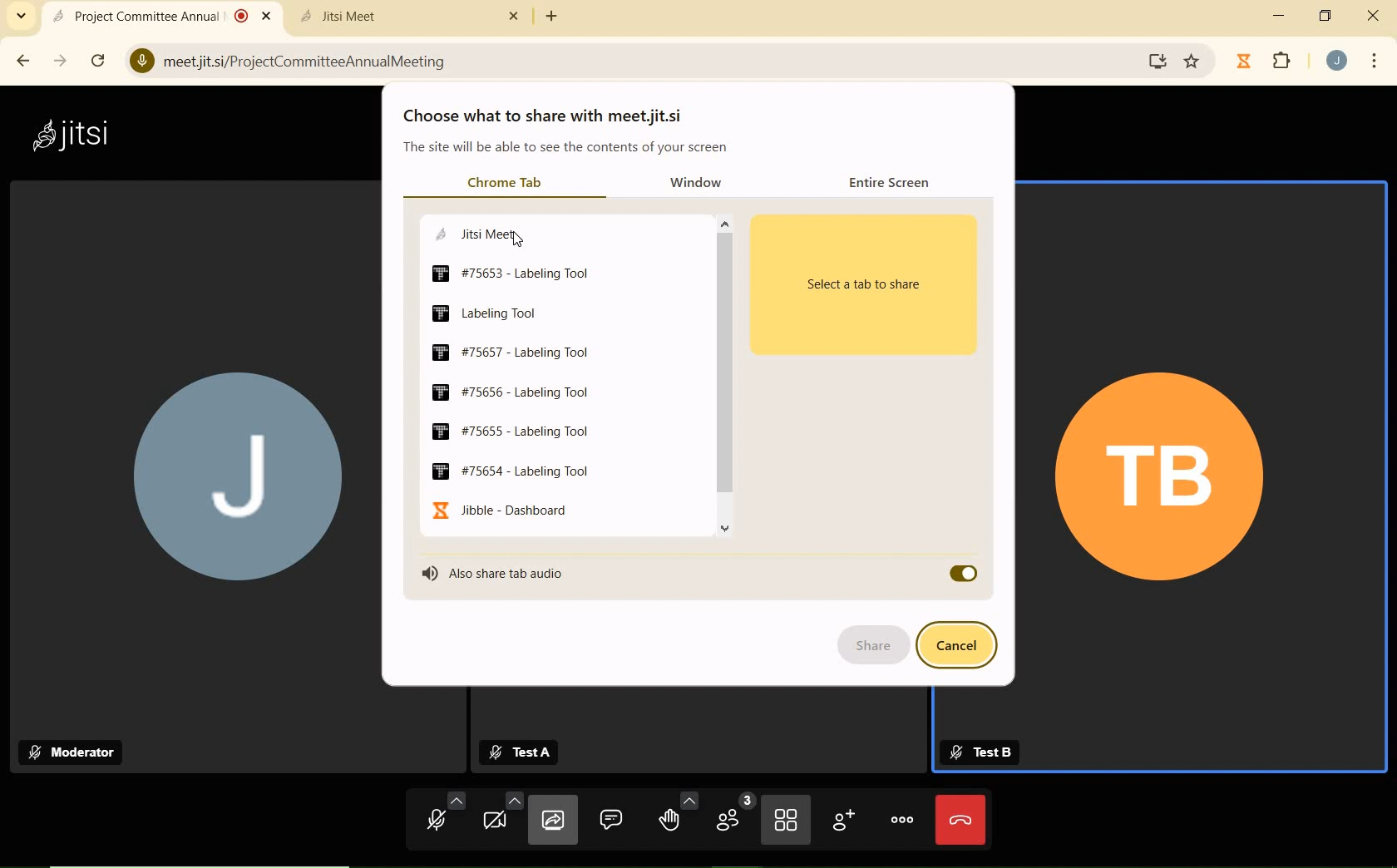 This screenshot has height=868, width=1397. What do you see at coordinates (503, 182) in the screenshot?
I see `chrome tab` at bounding box center [503, 182].